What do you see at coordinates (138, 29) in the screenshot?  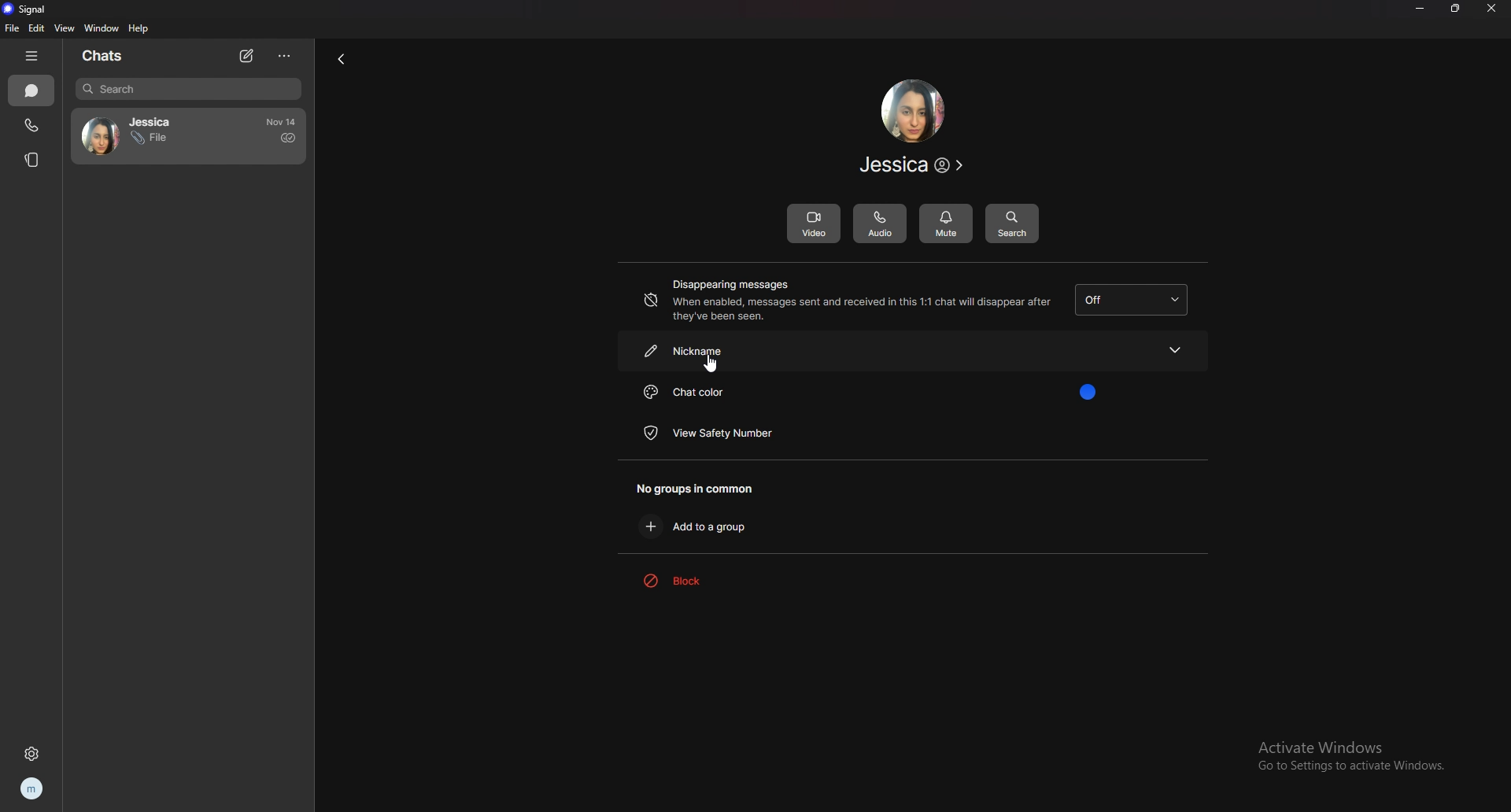 I see `help` at bounding box center [138, 29].